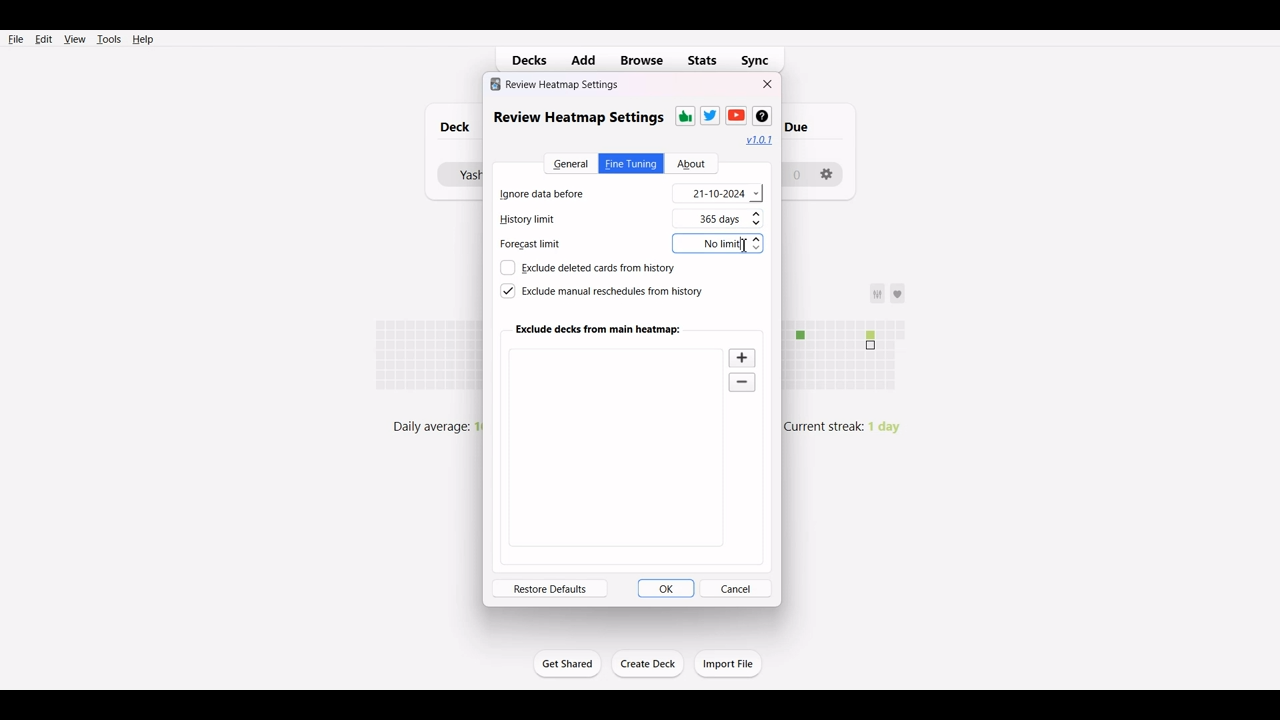 The height and width of the screenshot is (720, 1280). Describe the element at coordinates (808, 125) in the screenshot. I see `due` at that location.